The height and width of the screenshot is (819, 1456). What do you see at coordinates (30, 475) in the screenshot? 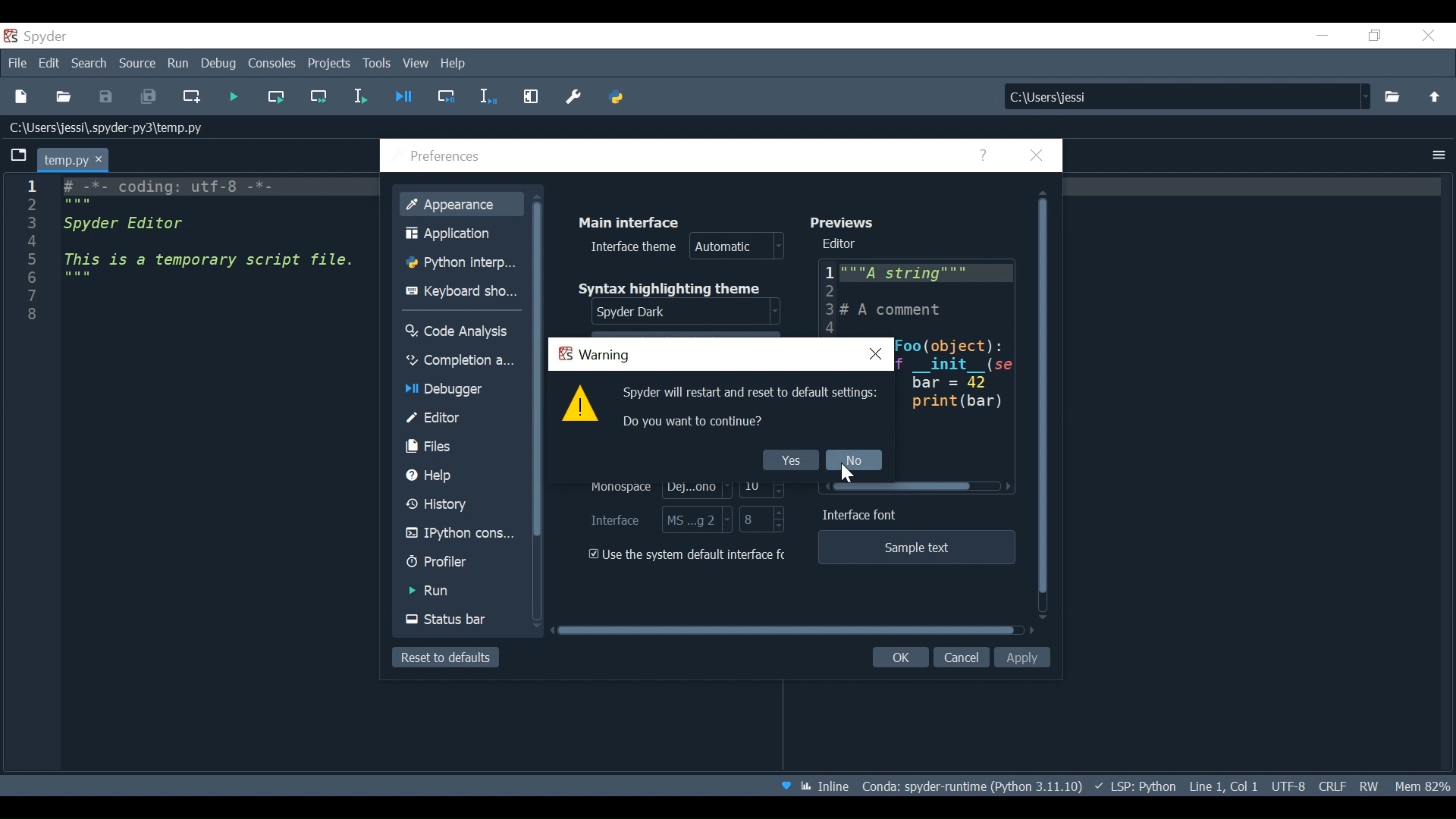
I see `Line column` at bounding box center [30, 475].